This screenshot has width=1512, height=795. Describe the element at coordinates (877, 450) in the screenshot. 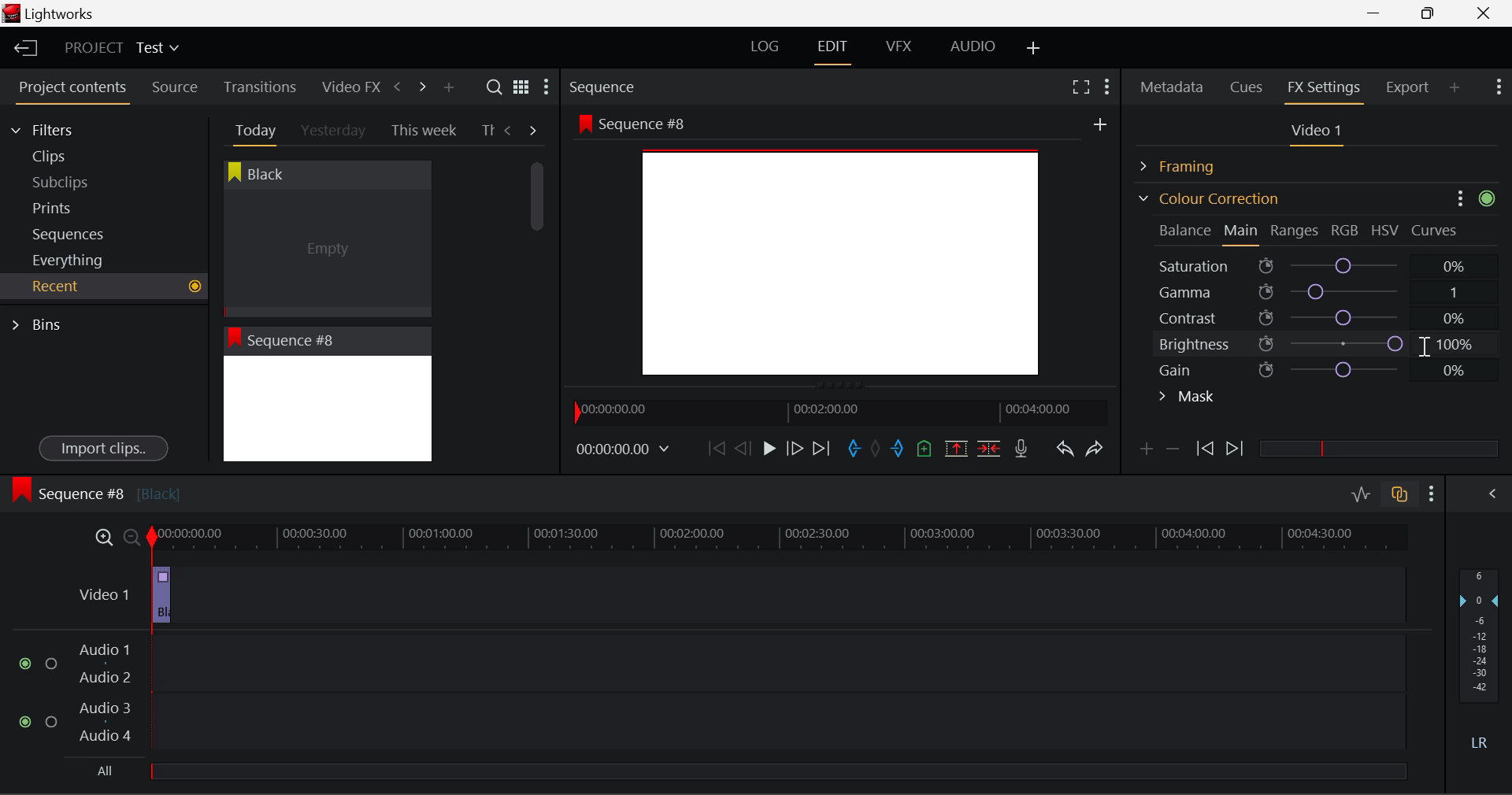

I see `Remove All Marks` at that location.